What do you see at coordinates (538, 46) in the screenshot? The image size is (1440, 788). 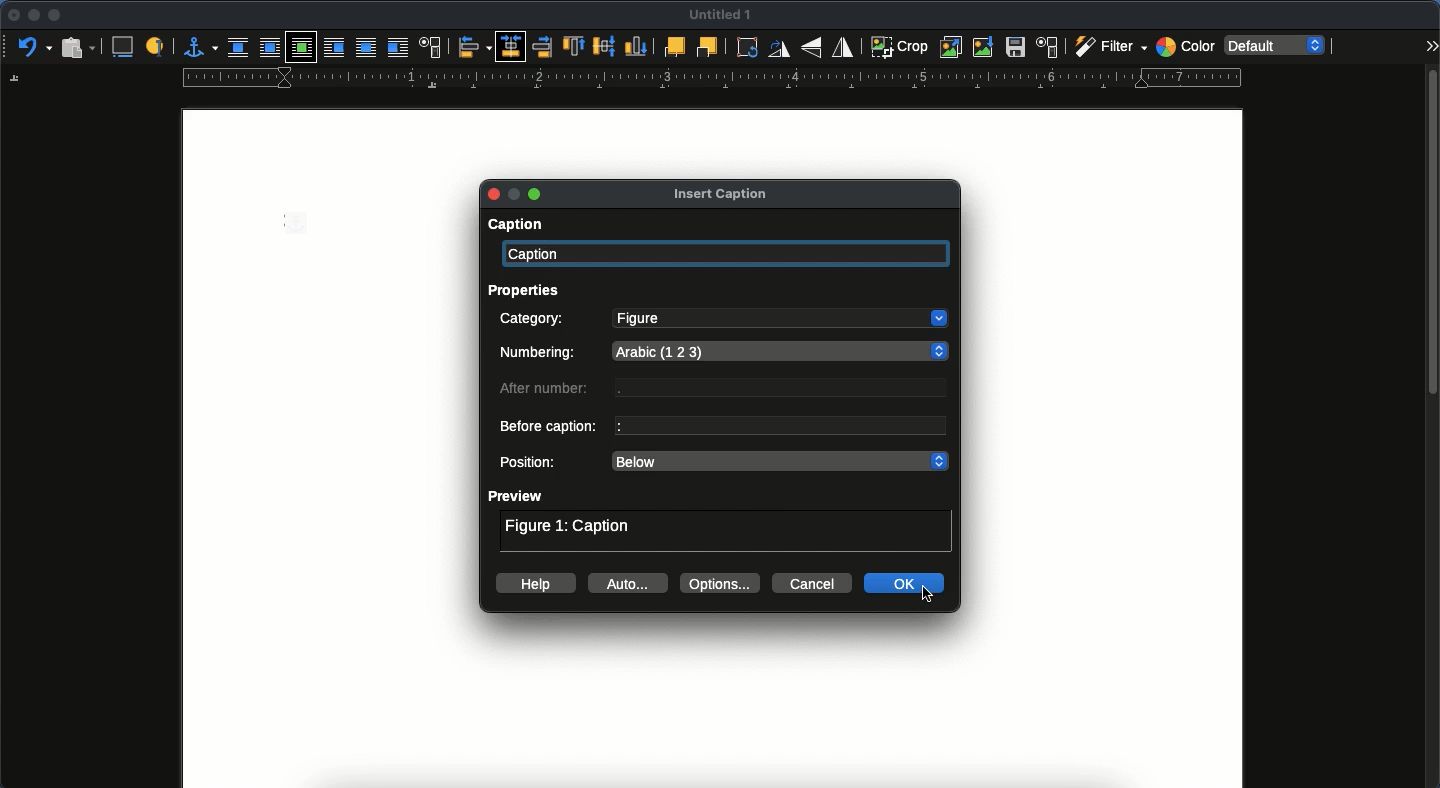 I see `right` at bounding box center [538, 46].